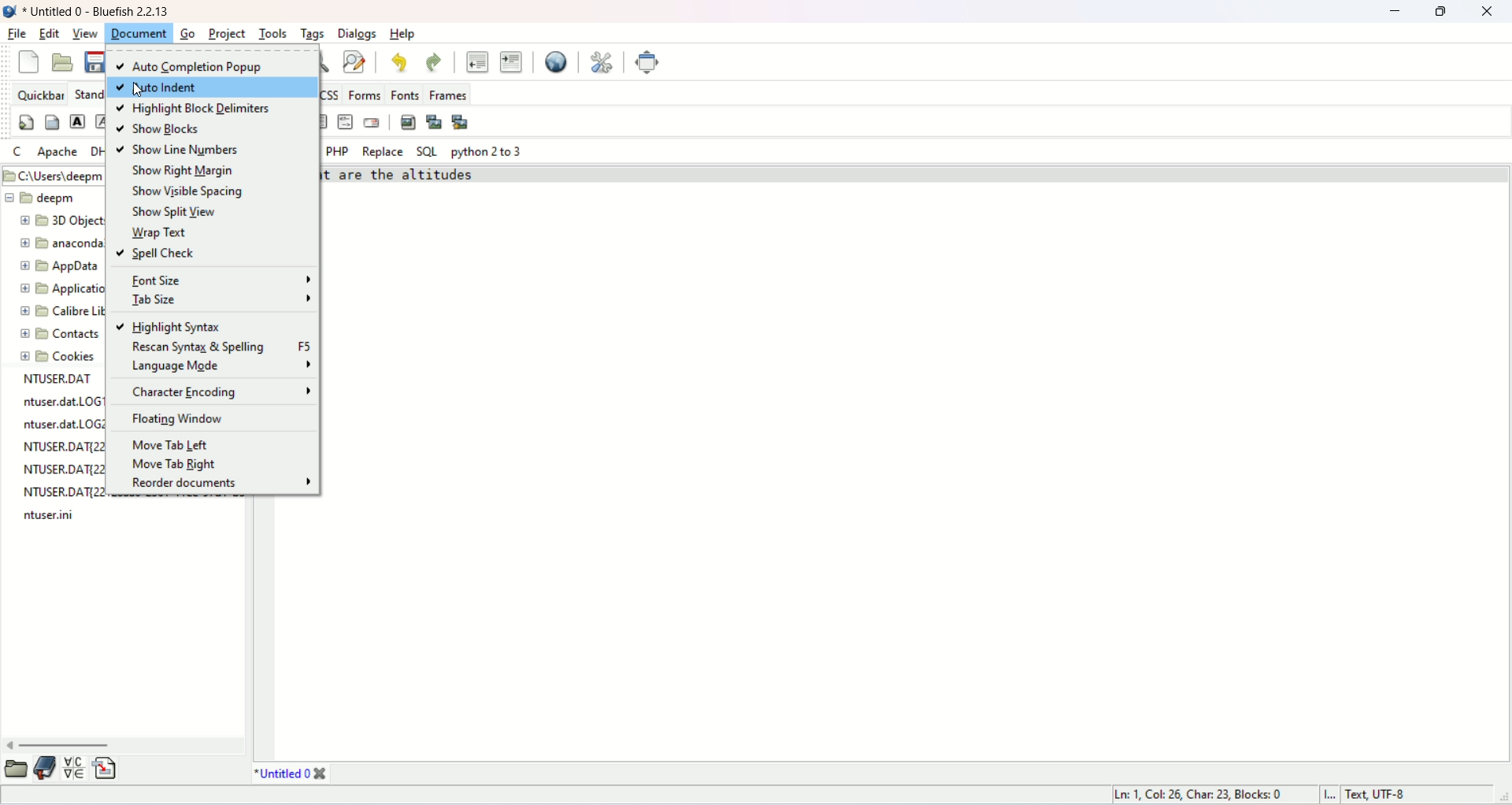 This screenshot has width=1512, height=805. Describe the element at coordinates (61, 334) in the screenshot. I see `contacts` at that location.